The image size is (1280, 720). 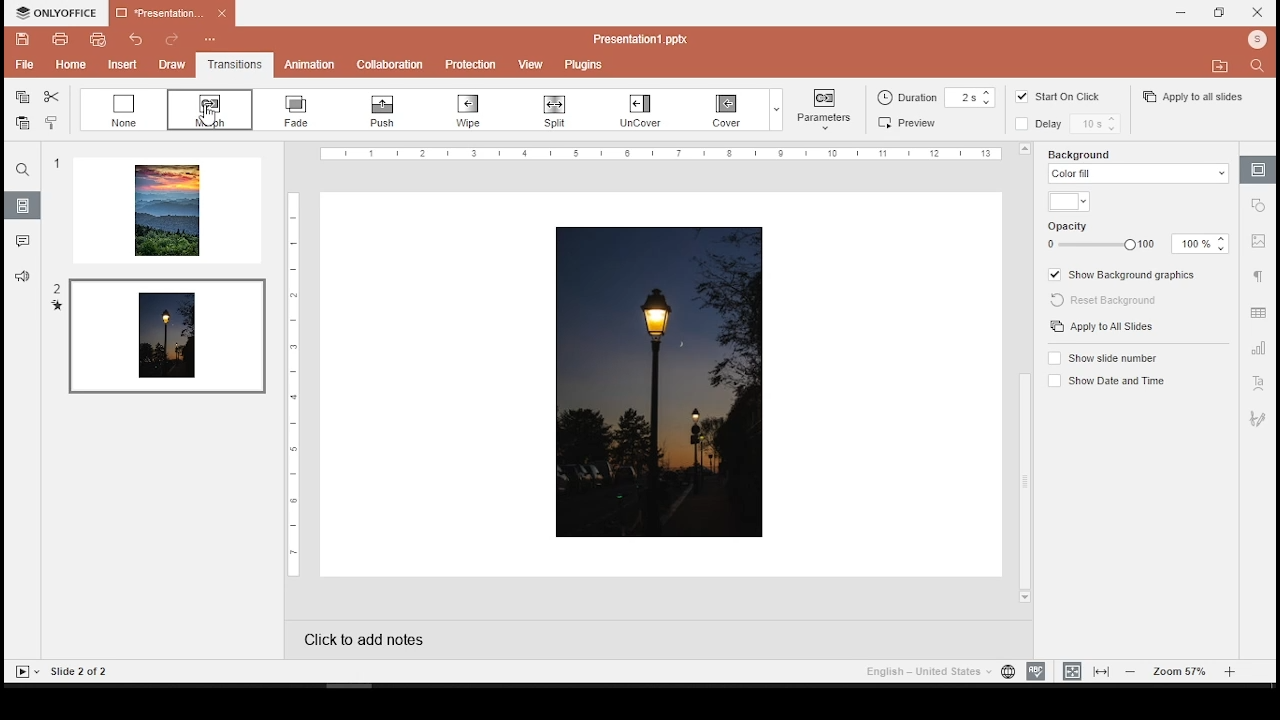 I want to click on slide style, so click(x=1195, y=99).